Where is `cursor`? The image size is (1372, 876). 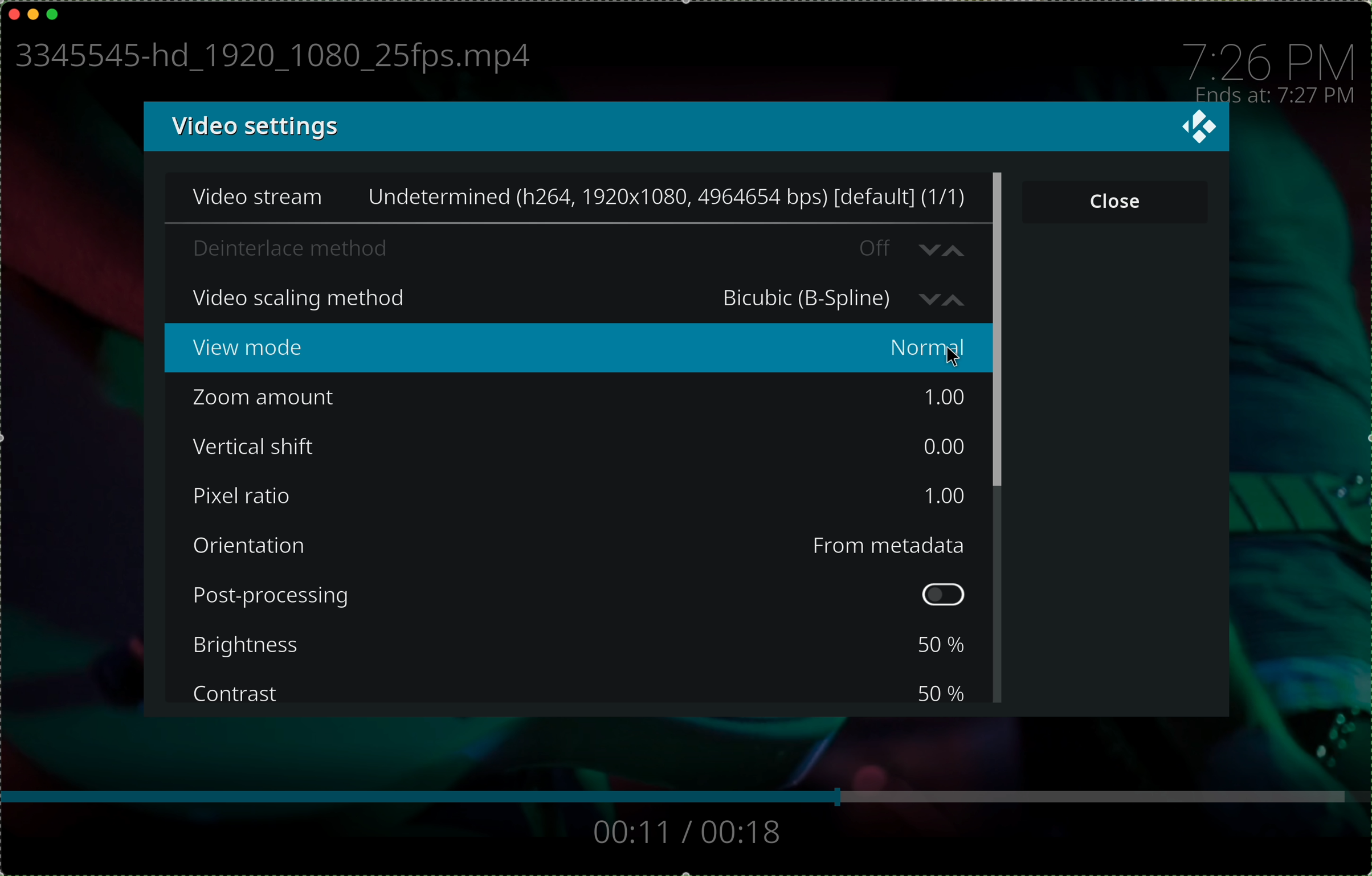 cursor is located at coordinates (952, 358).